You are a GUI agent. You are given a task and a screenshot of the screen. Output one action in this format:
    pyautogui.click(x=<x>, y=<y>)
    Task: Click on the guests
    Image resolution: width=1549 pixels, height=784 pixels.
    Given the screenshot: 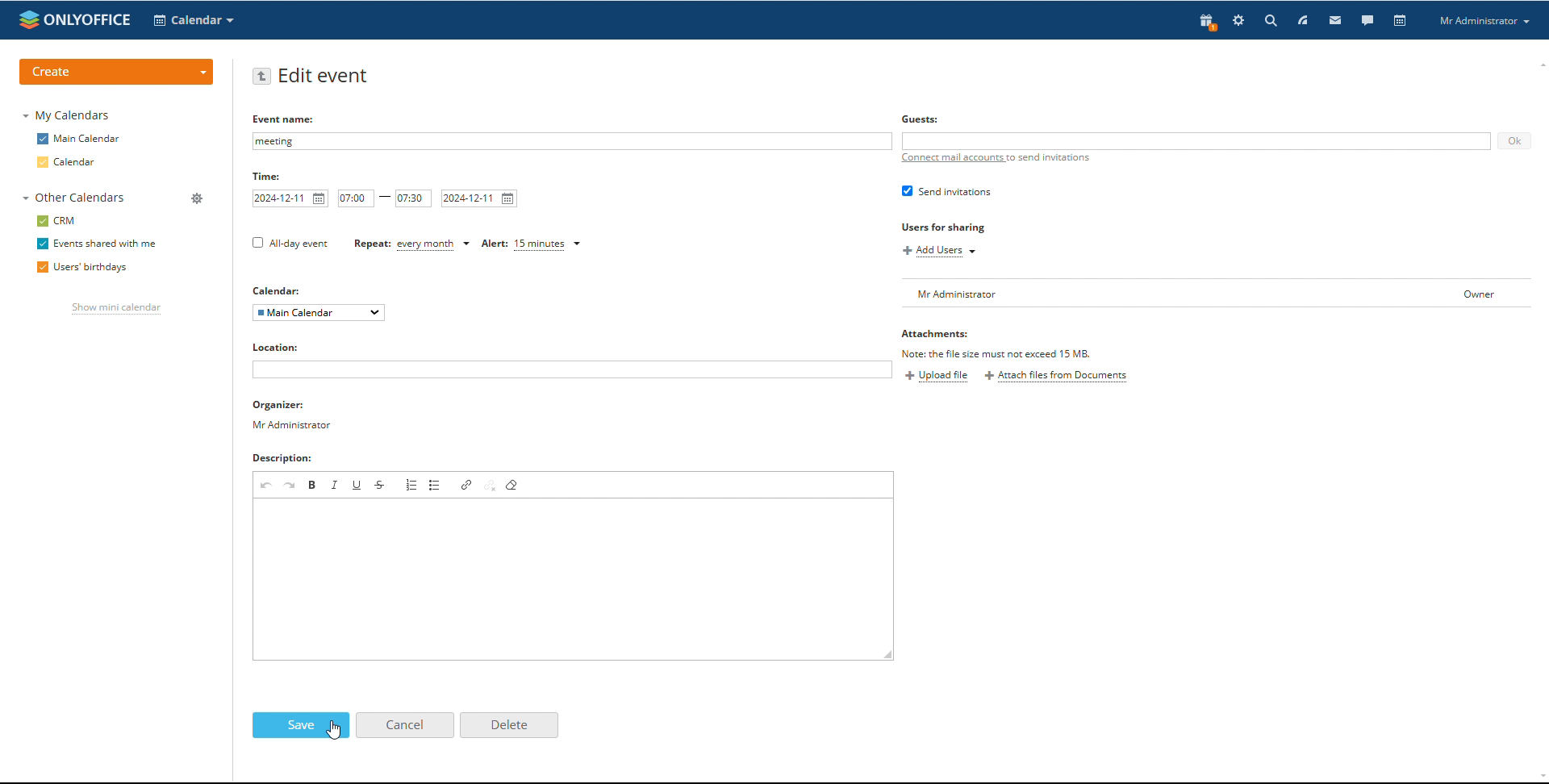 What is the action you would take?
    pyautogui.click(x=922, y=119)
    